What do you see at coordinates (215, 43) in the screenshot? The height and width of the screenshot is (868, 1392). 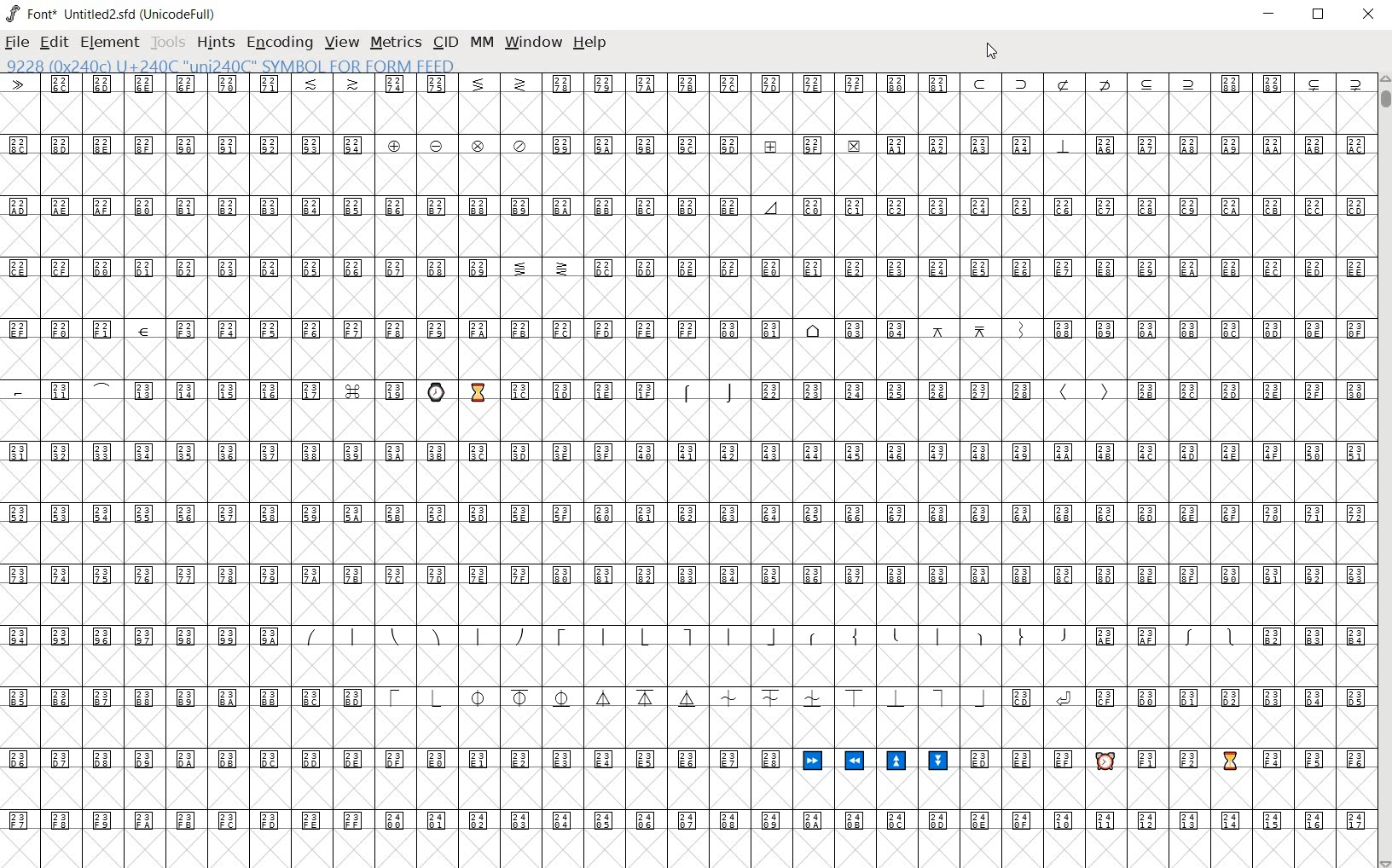 I see `hints` at bounding box center [215, 43].